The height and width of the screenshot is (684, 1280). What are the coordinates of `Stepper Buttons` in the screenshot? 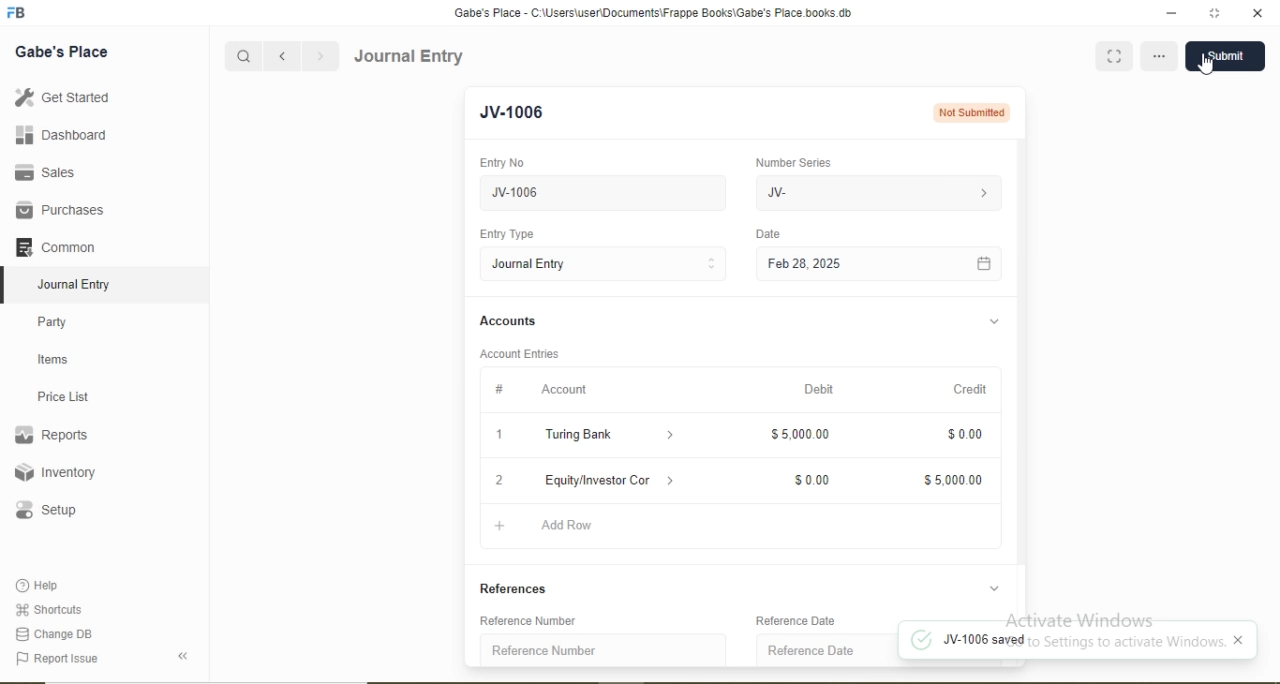 It's located at (712, 264).